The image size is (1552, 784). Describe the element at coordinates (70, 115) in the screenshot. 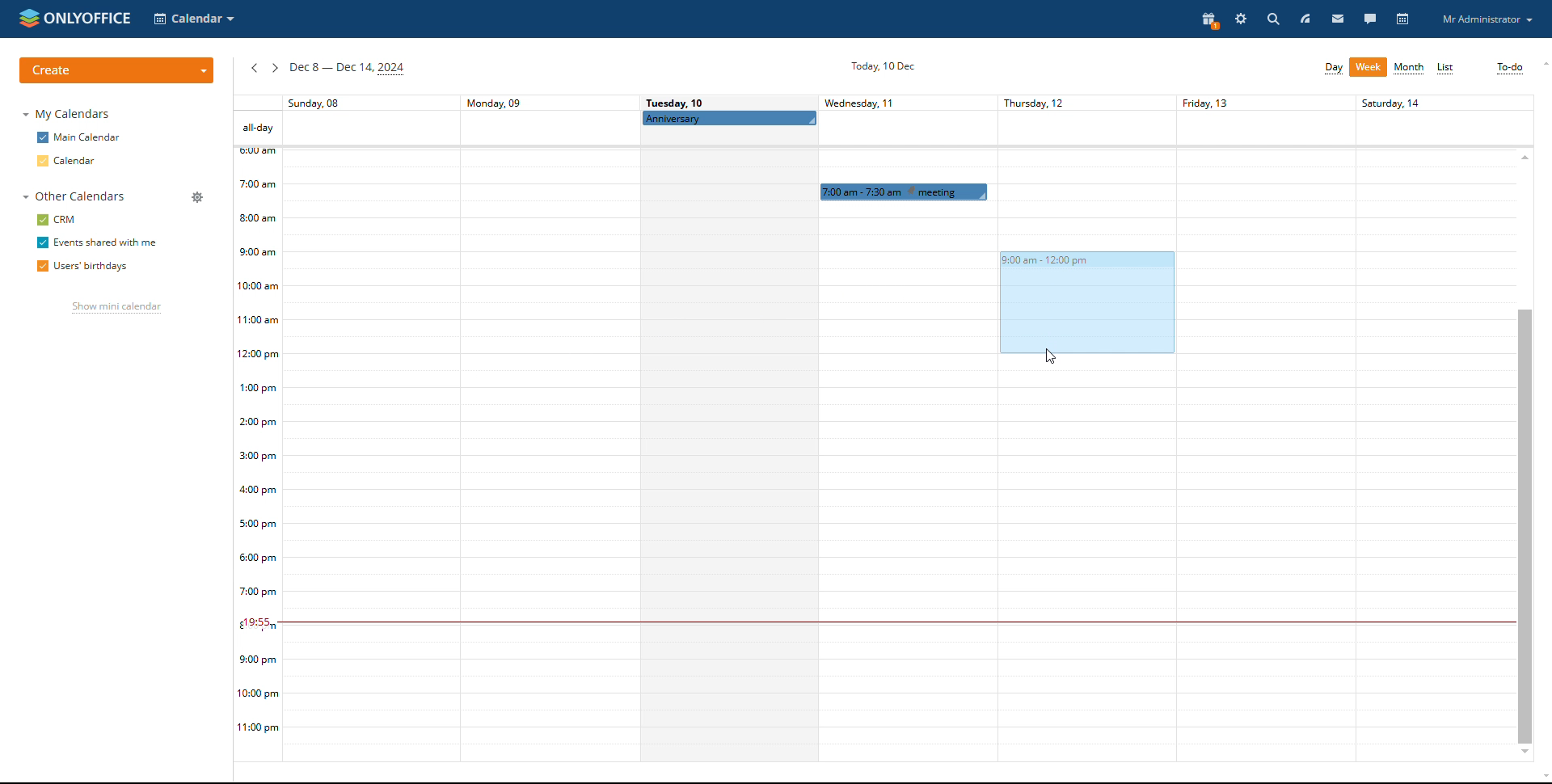

I see `my calendars` at that location.